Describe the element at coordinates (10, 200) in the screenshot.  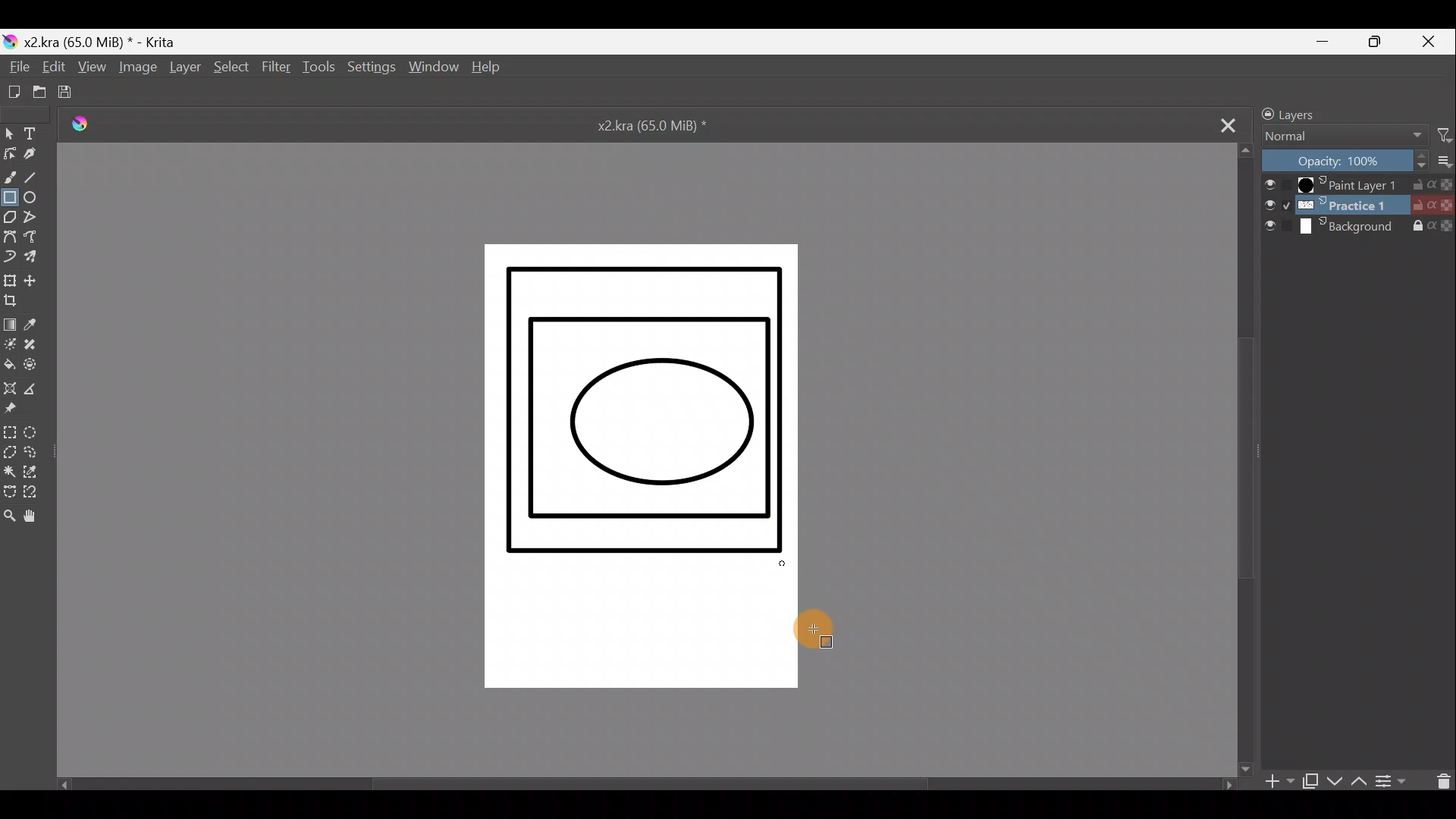
I see `Rectangle tool` at that location.